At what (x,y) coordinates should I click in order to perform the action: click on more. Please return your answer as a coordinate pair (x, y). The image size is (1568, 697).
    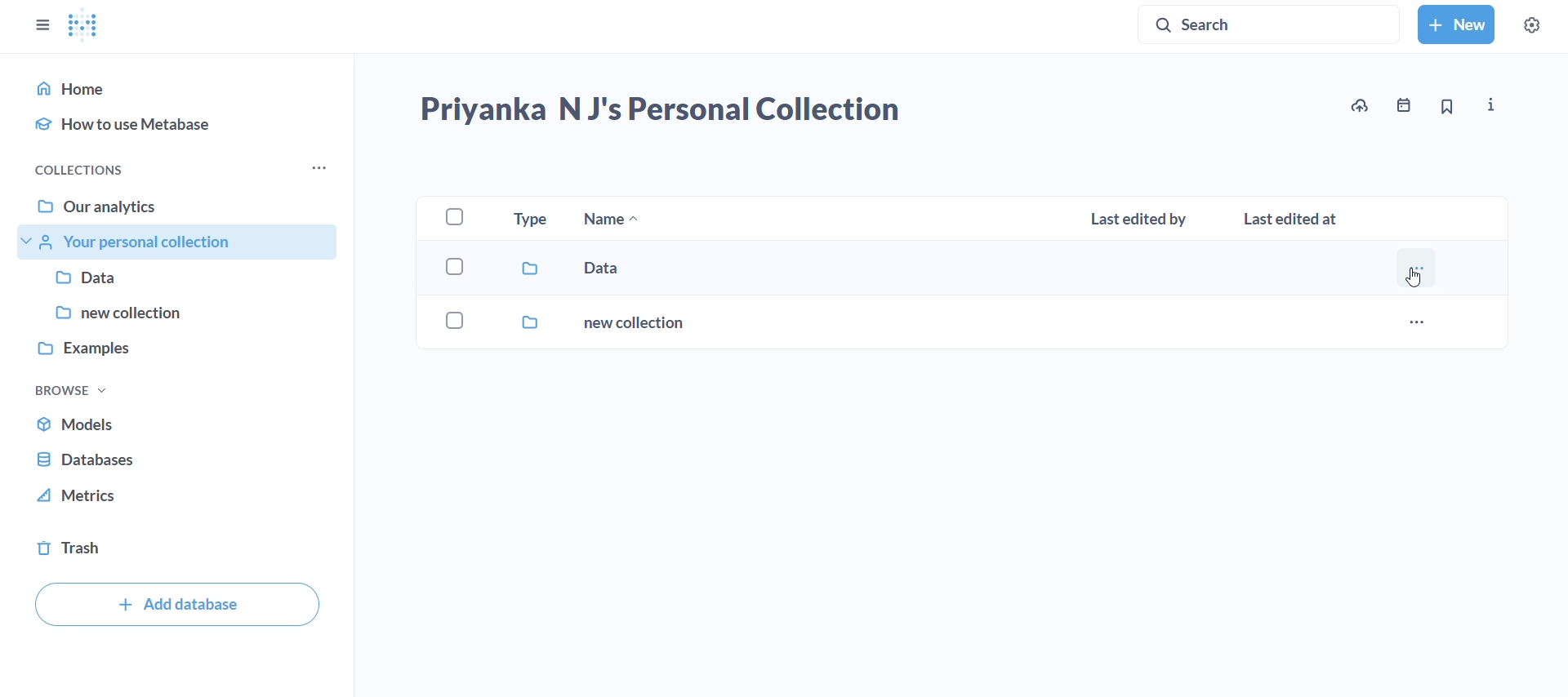
    Looking at the image, I should click on (320, 171).